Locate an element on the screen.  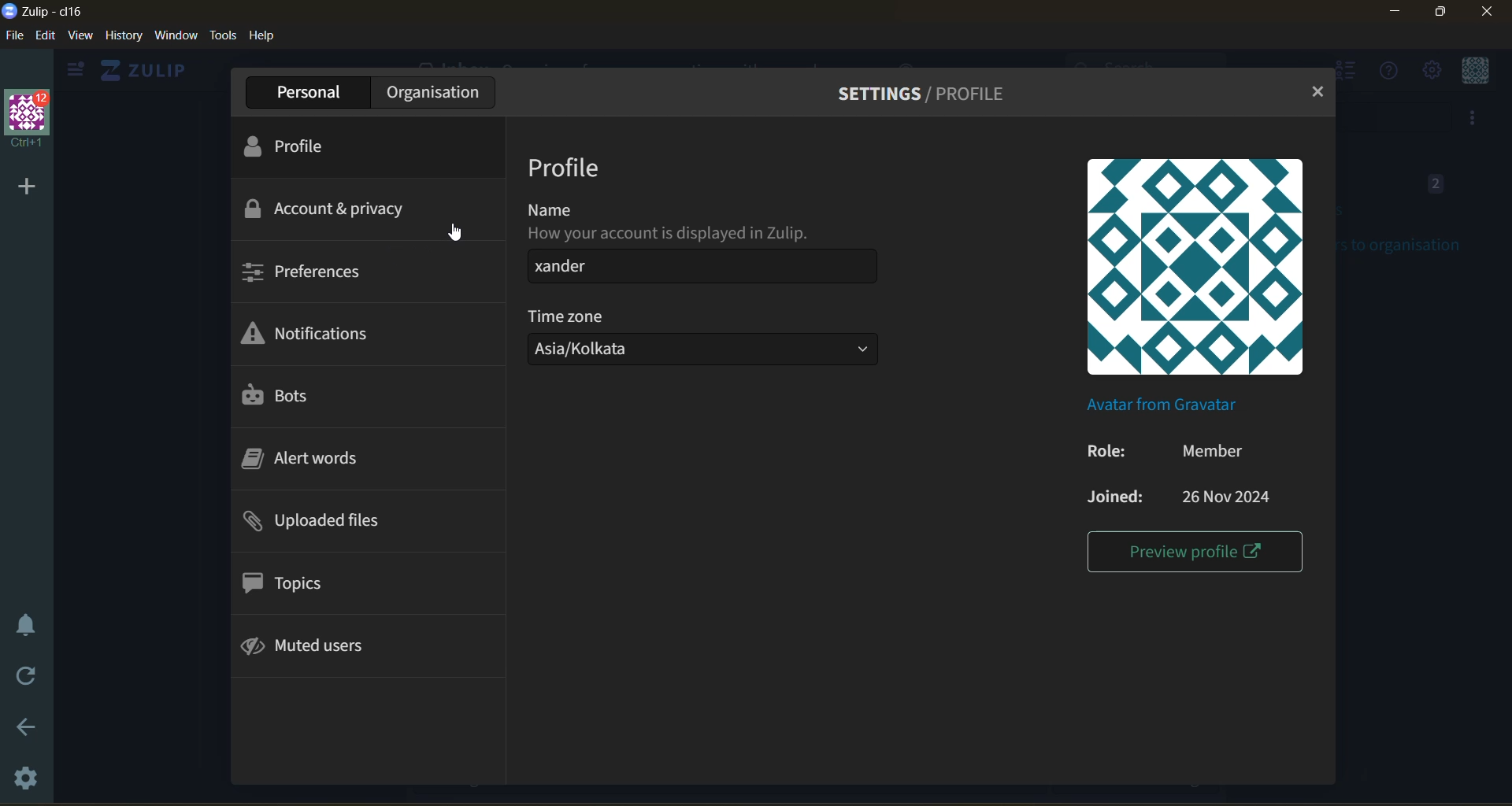
setting is located at coordinates (1430, 72).